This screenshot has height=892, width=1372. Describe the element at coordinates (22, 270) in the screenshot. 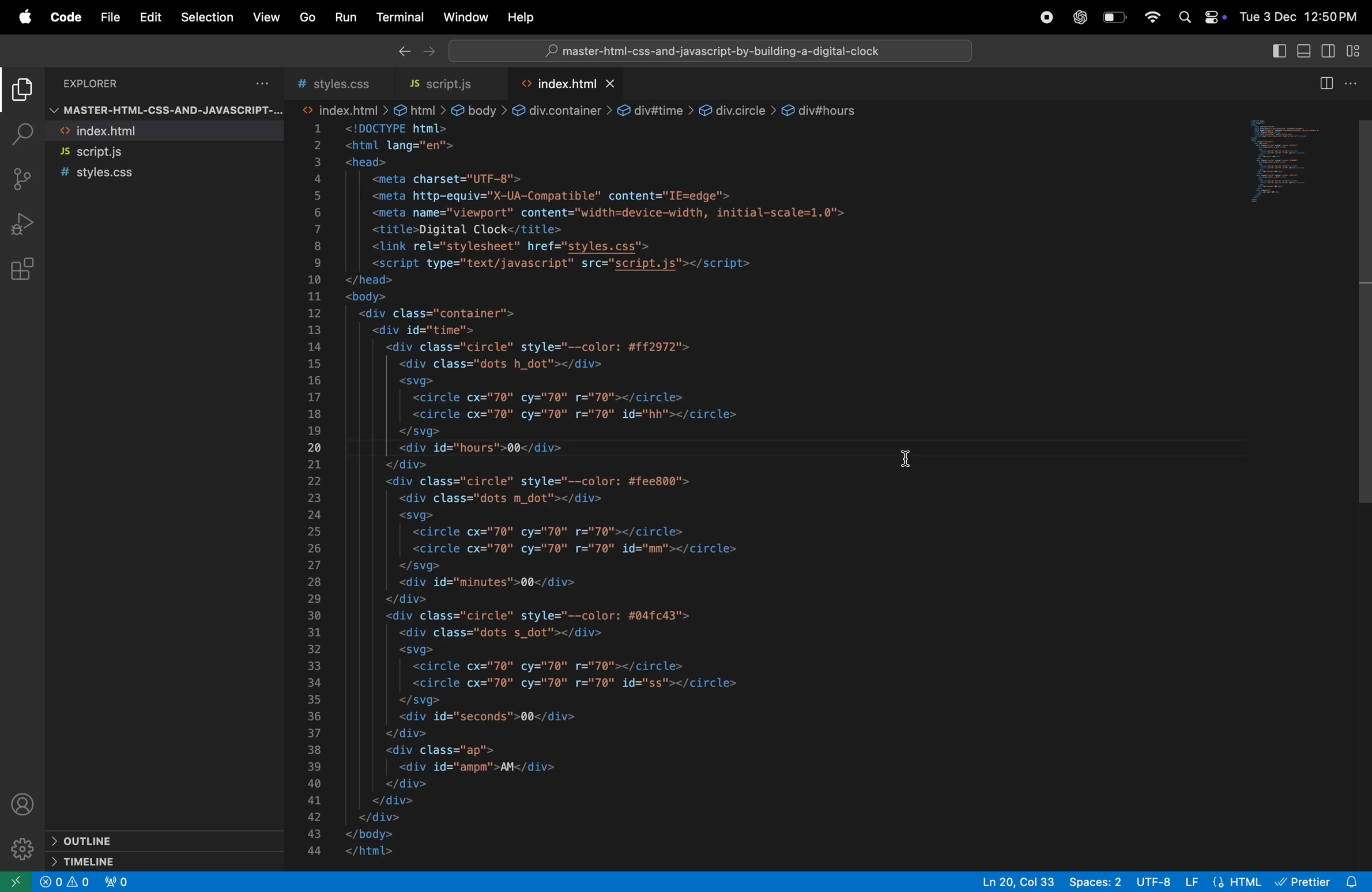

I see `extensions` at that location.